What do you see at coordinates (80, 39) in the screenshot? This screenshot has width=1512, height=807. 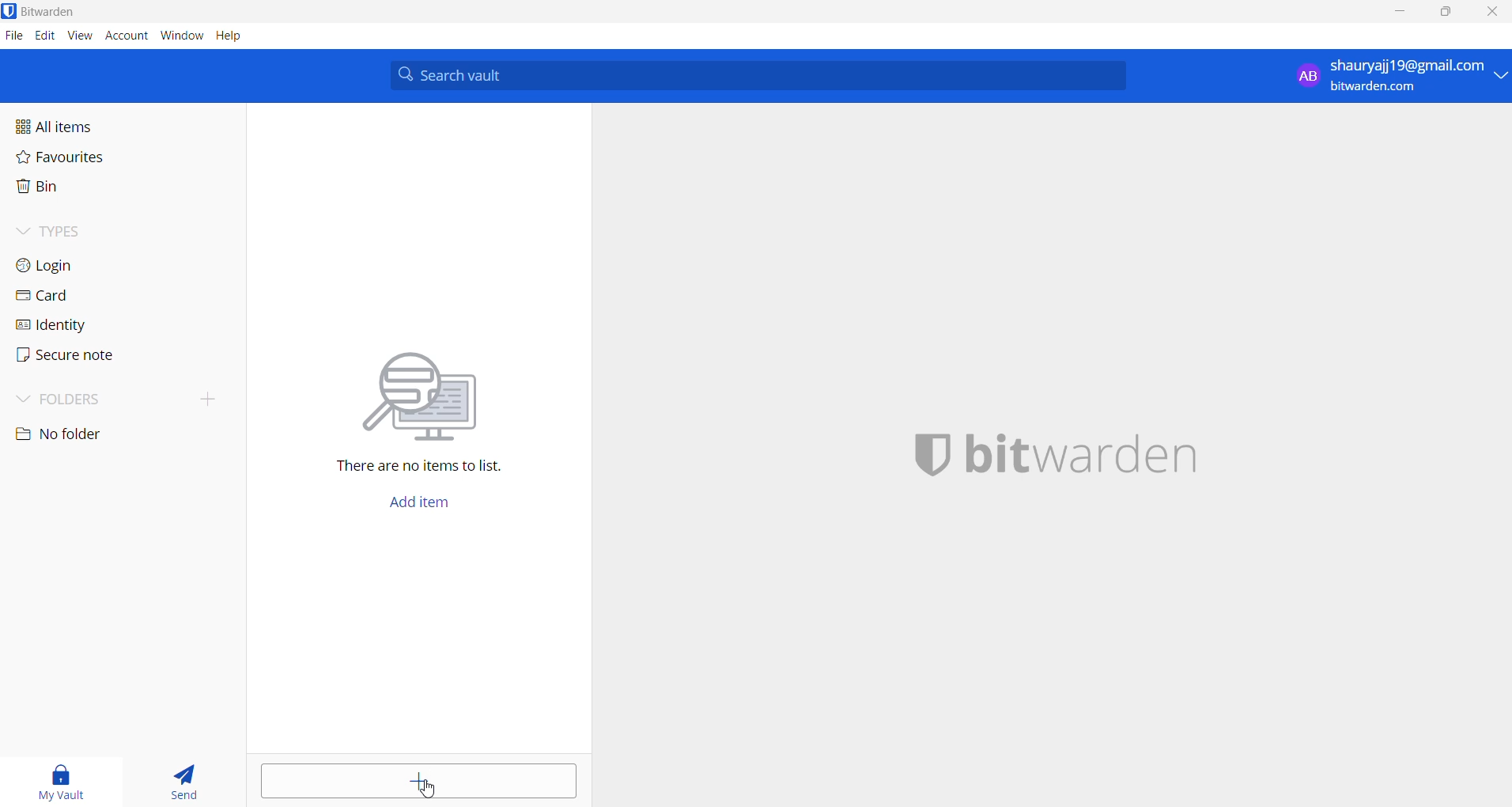 I see `view` at bounding box center [80, 39].